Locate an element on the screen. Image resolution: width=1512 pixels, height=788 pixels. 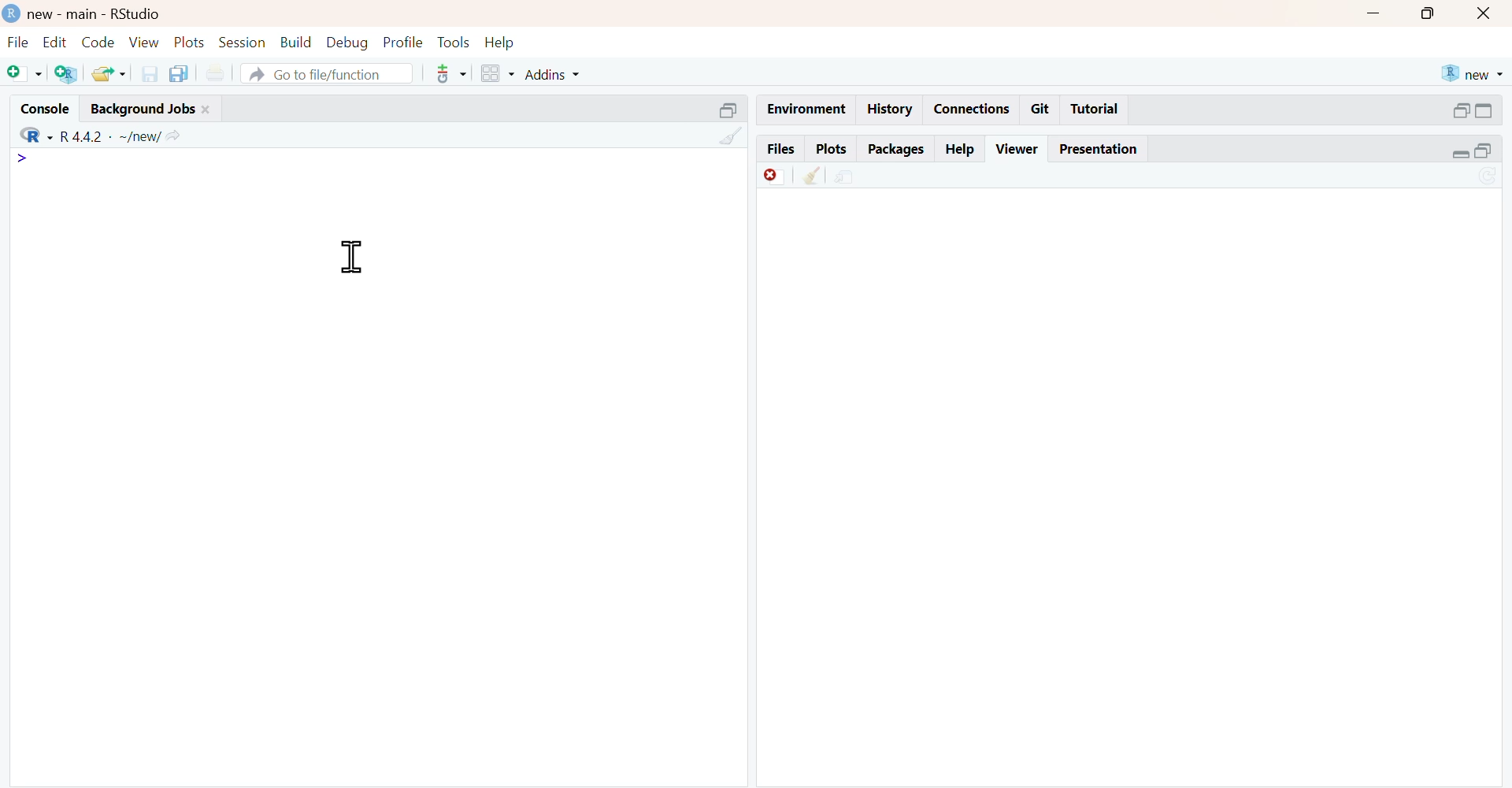
tools is located at coordinates (454, 43).